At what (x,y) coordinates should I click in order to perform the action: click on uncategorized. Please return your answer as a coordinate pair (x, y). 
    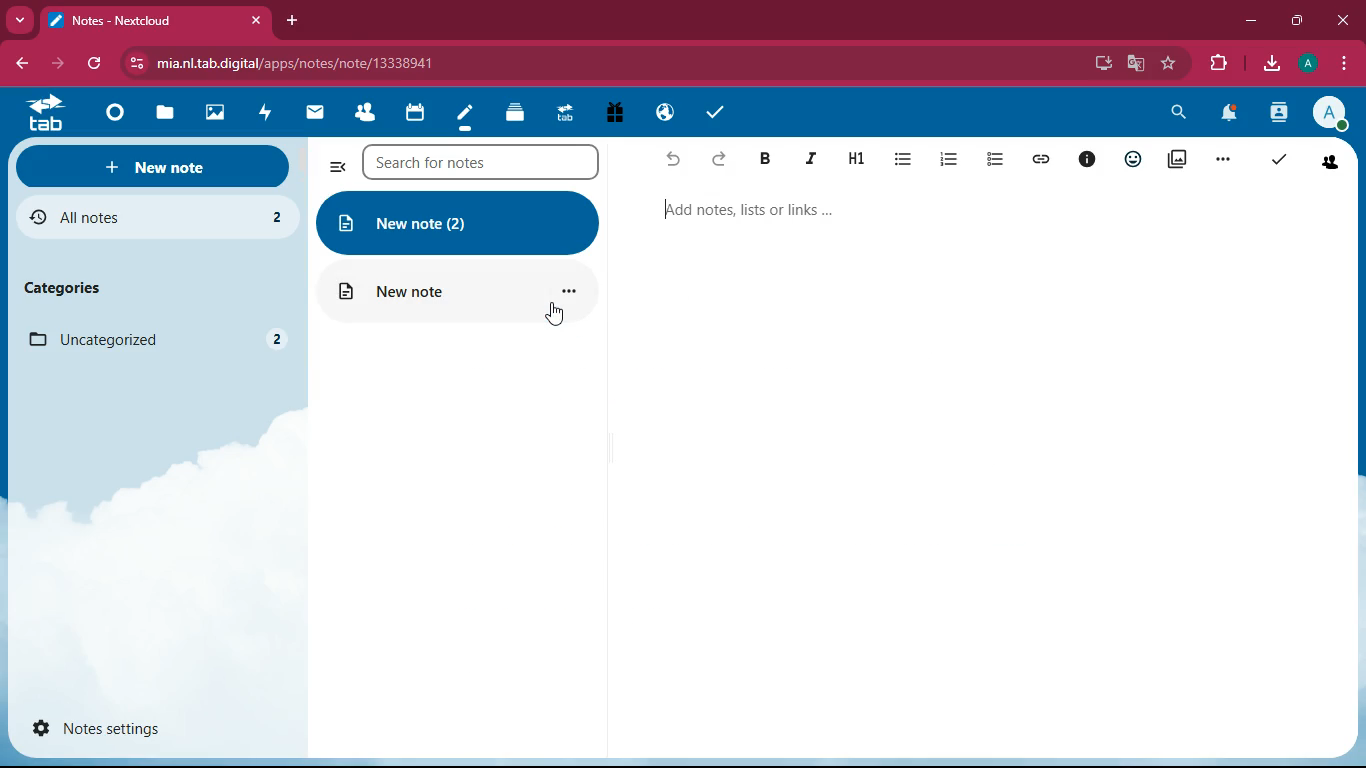
    Looking at the image, I should click on (154, 340).